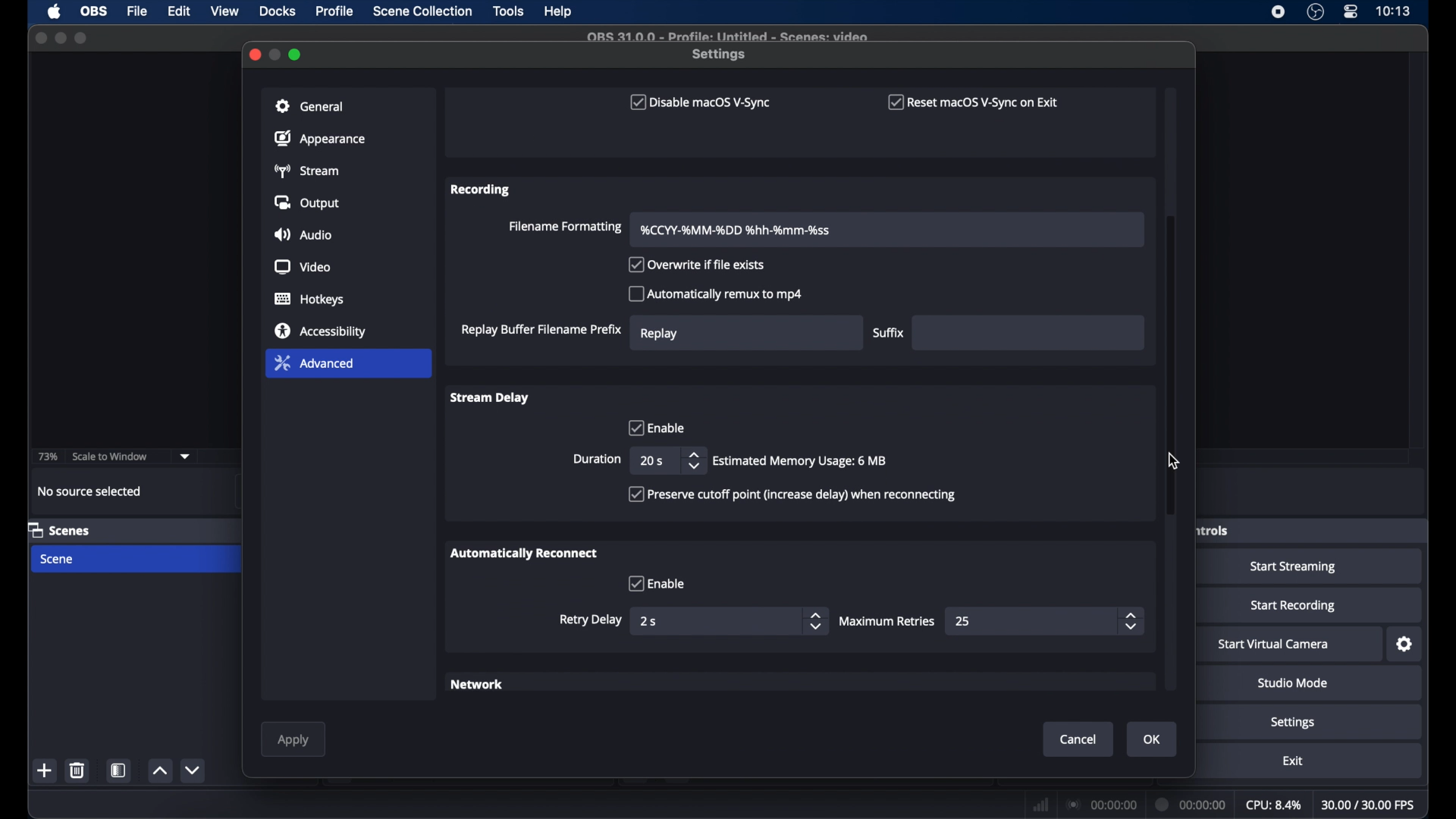  I want to click on stepper buttons, so click(814, 621).